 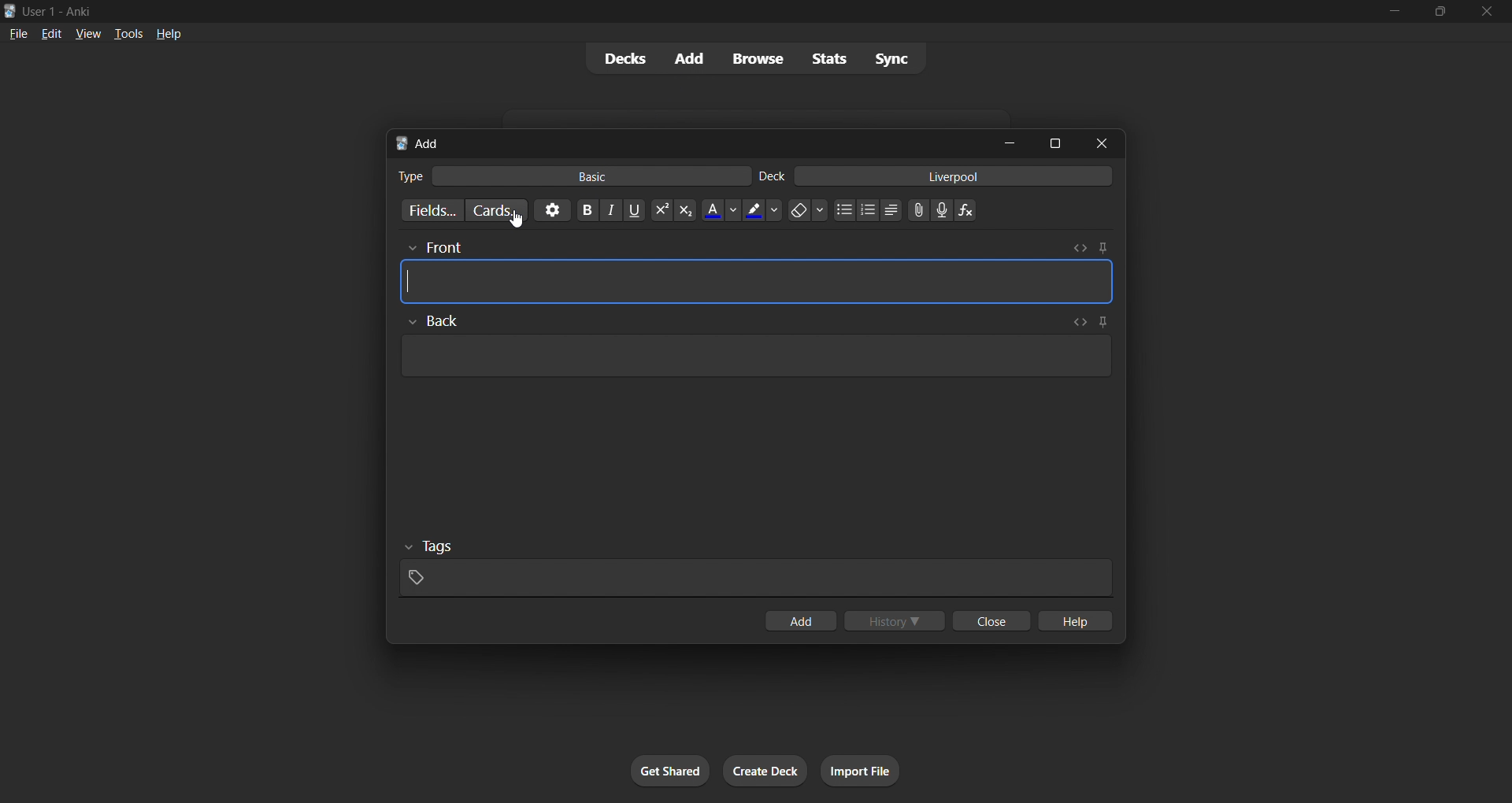 What do you see at coordinates (625, 60) in the screenshot?
I see `decks` at bounding box center [625, 60].